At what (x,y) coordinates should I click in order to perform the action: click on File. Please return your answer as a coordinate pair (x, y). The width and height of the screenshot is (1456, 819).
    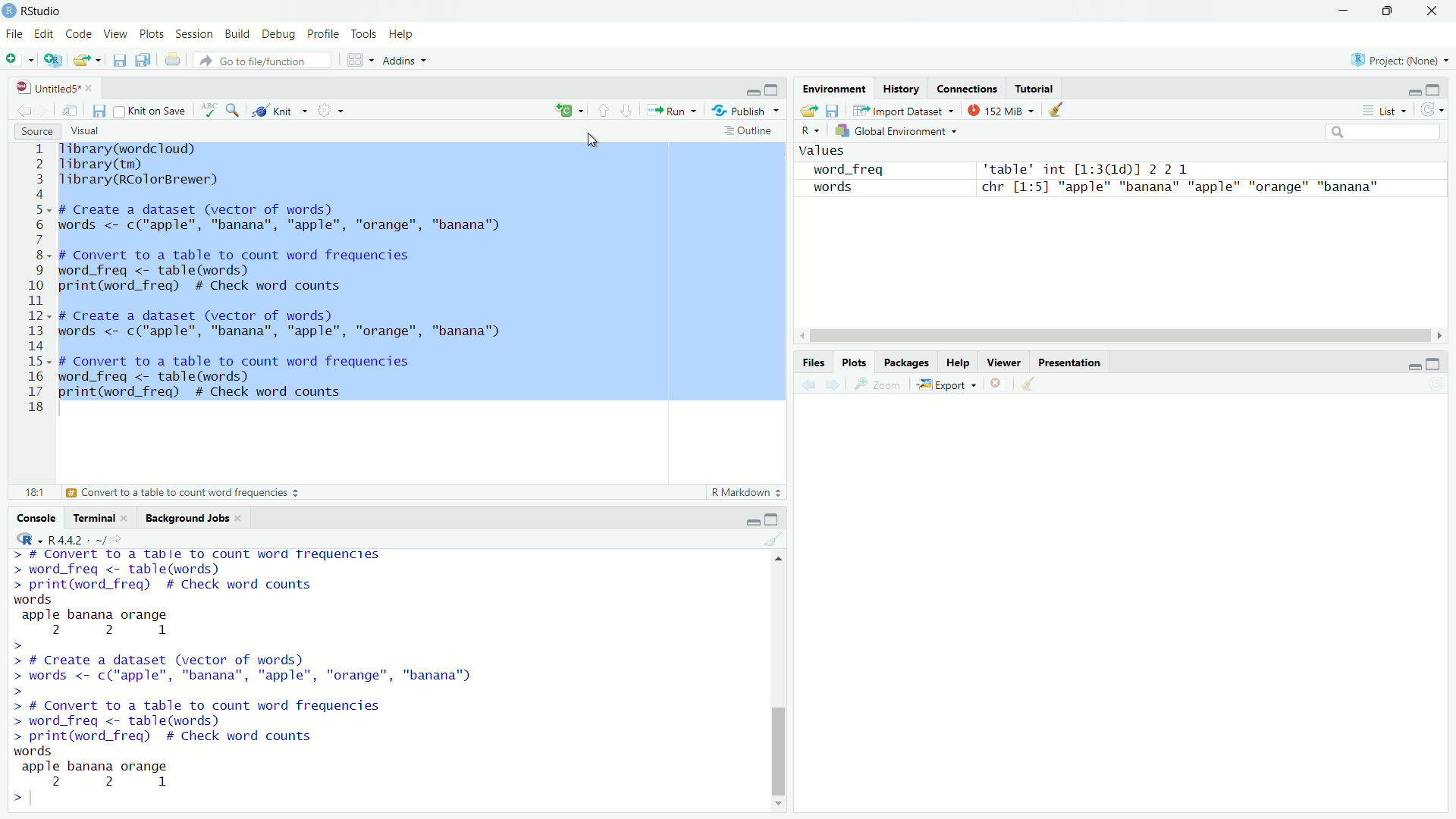
    Looking at the image, I should click on (13, 33).